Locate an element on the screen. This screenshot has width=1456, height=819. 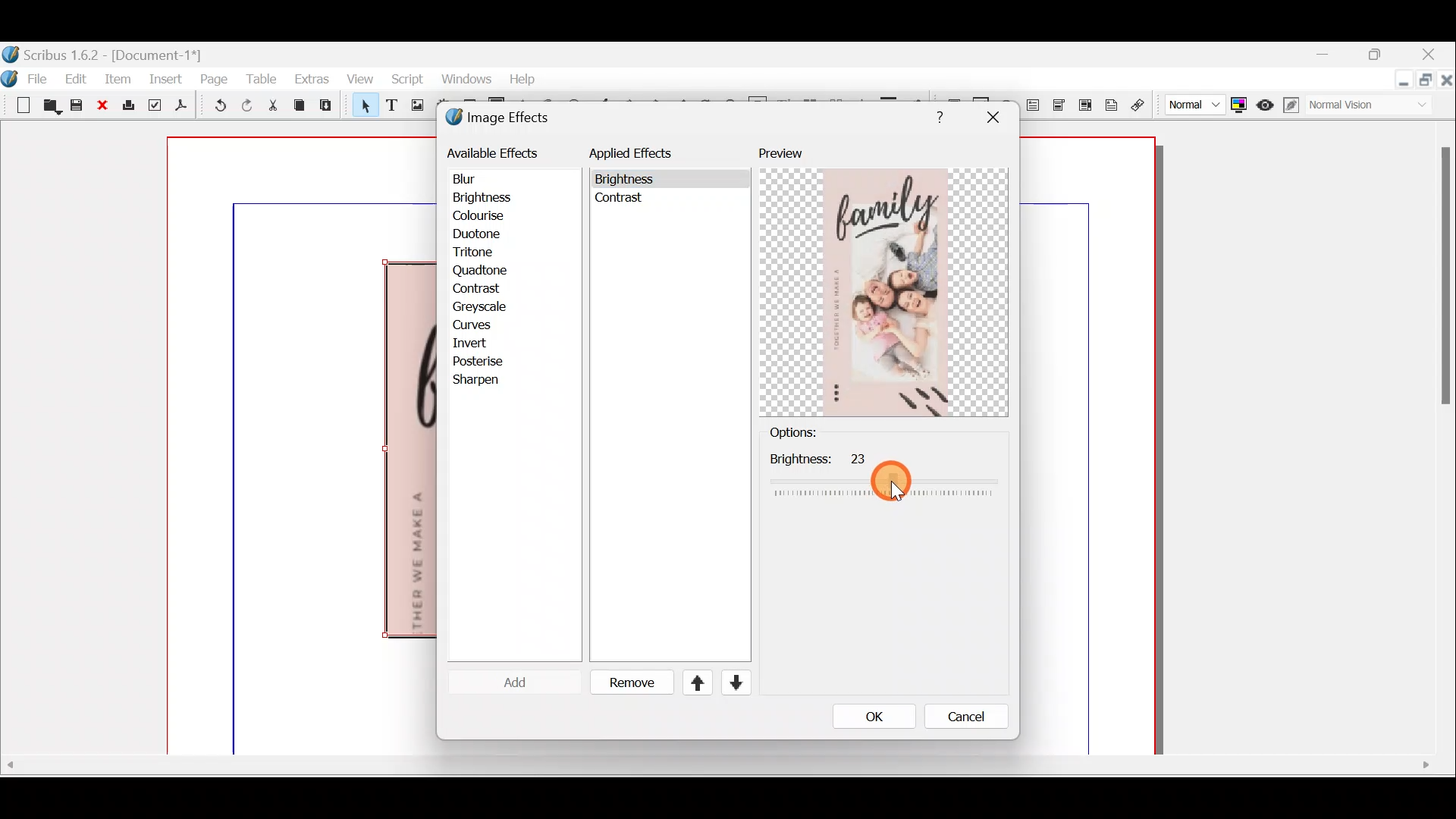
Invert is located at coordinates (484, 344).